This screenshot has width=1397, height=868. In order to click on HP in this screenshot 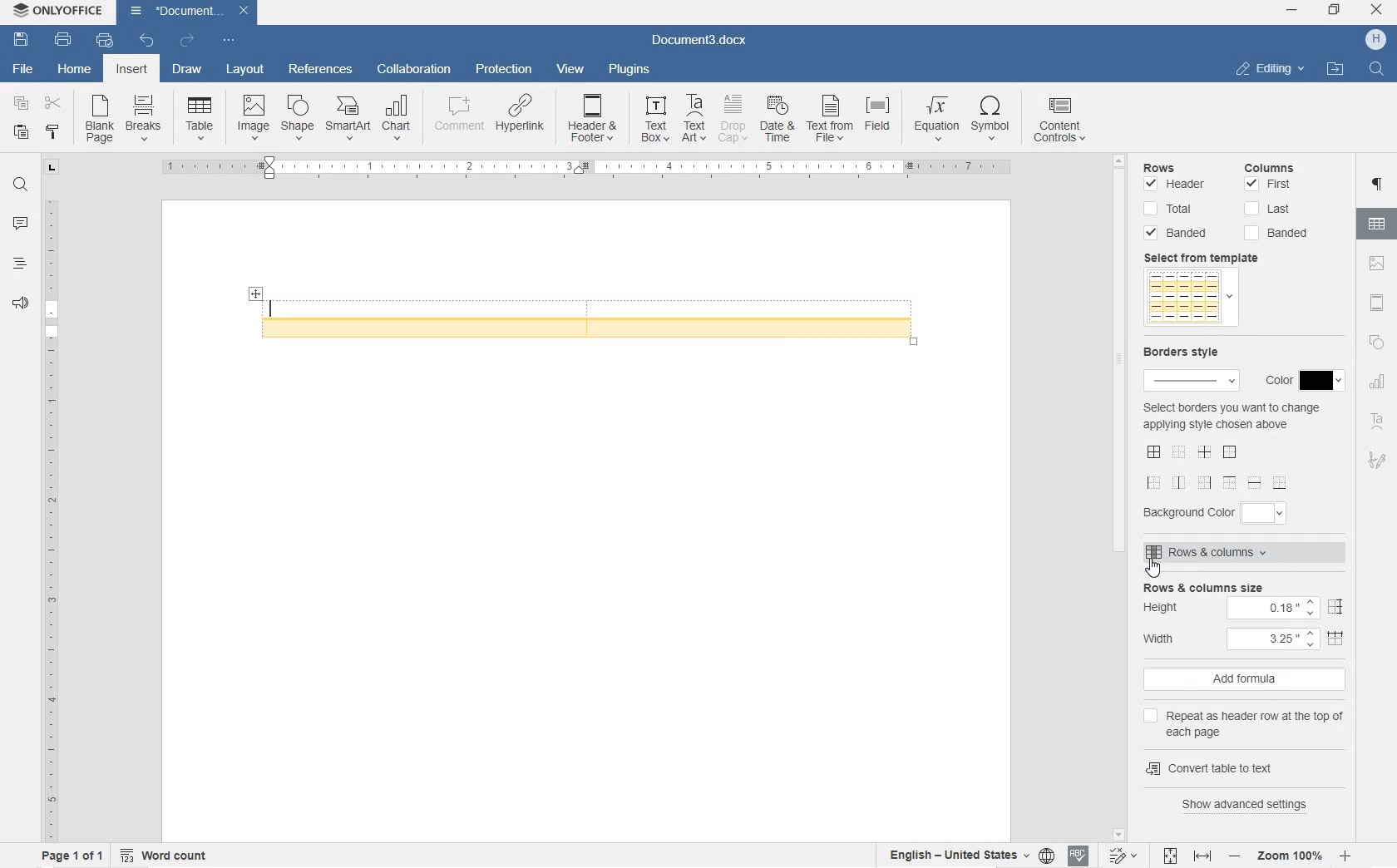, I will do `click(1375, 40)`.